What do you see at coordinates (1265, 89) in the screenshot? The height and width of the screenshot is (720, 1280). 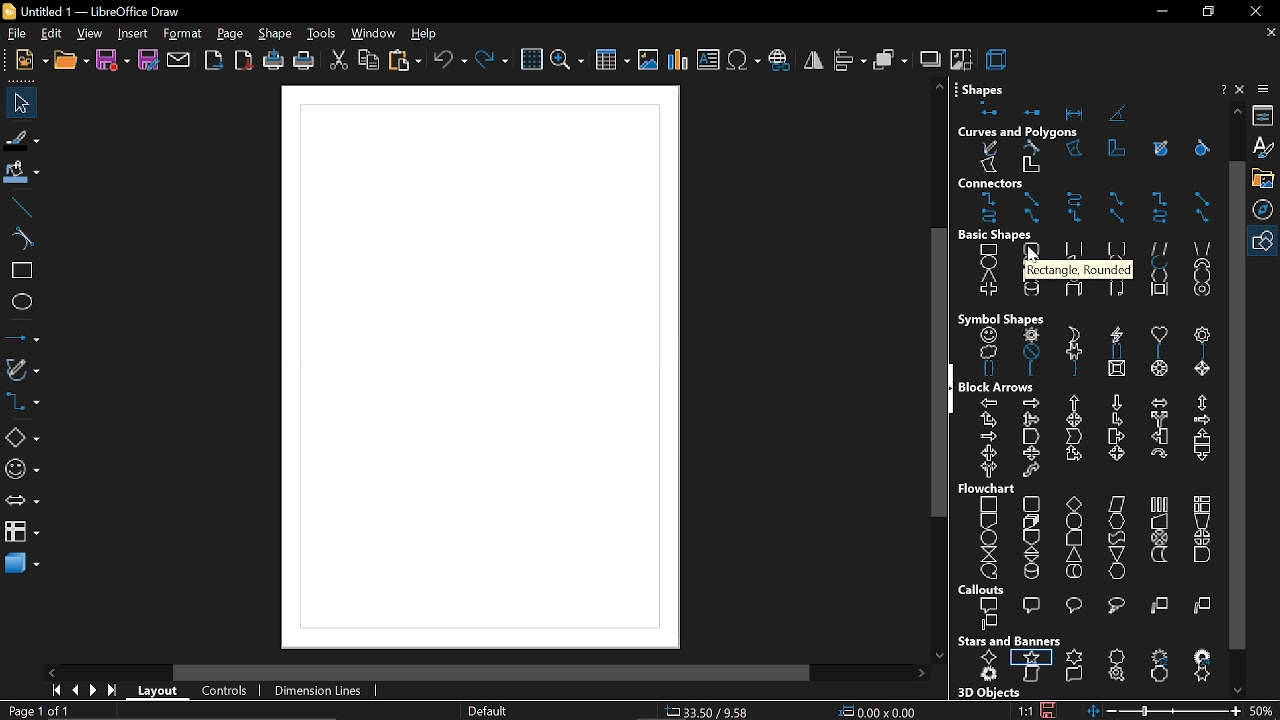 I see `sidebar settings` at bounding box center [1265, 89].